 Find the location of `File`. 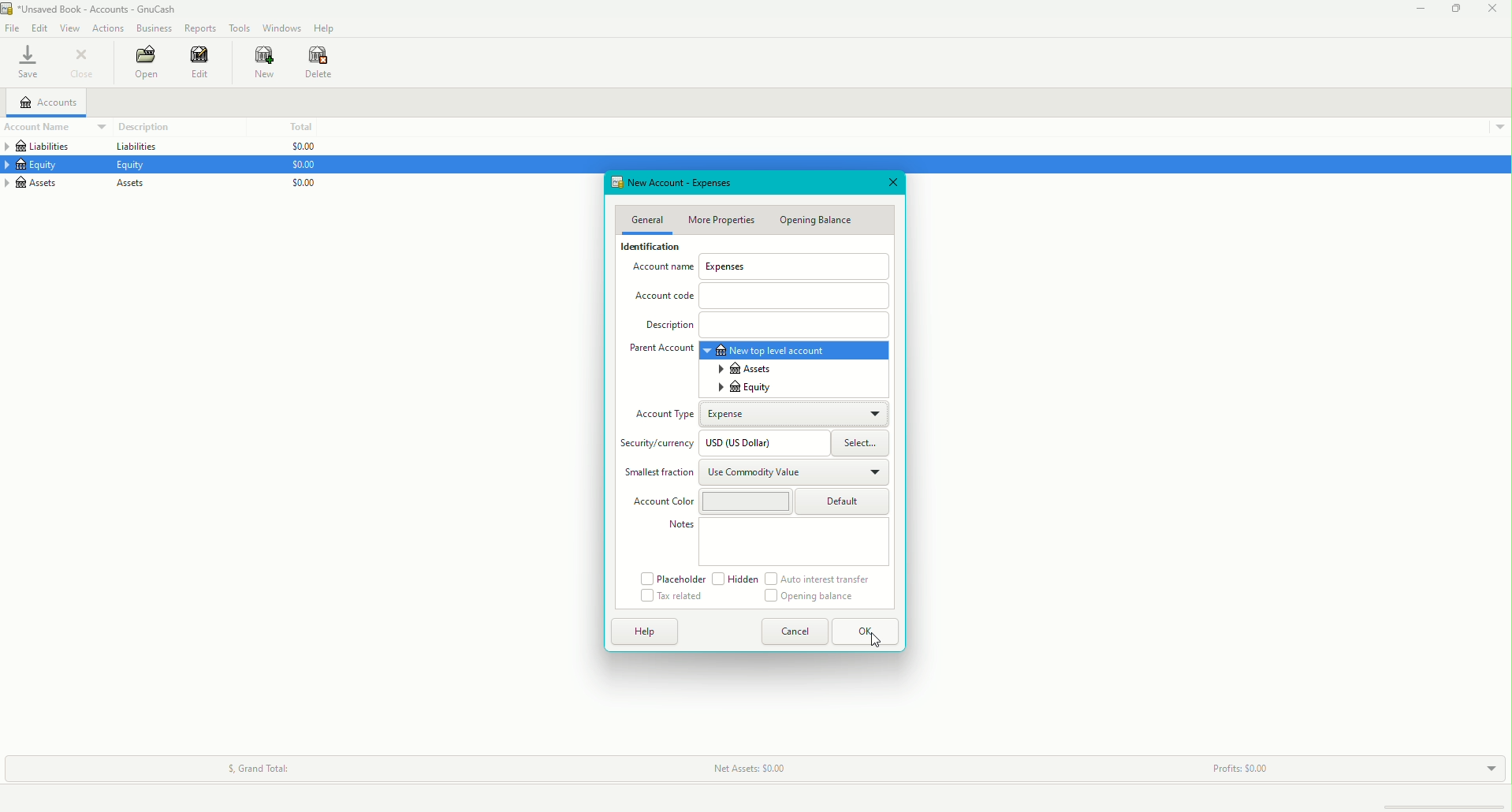

File is located at coordinates (12, 28).